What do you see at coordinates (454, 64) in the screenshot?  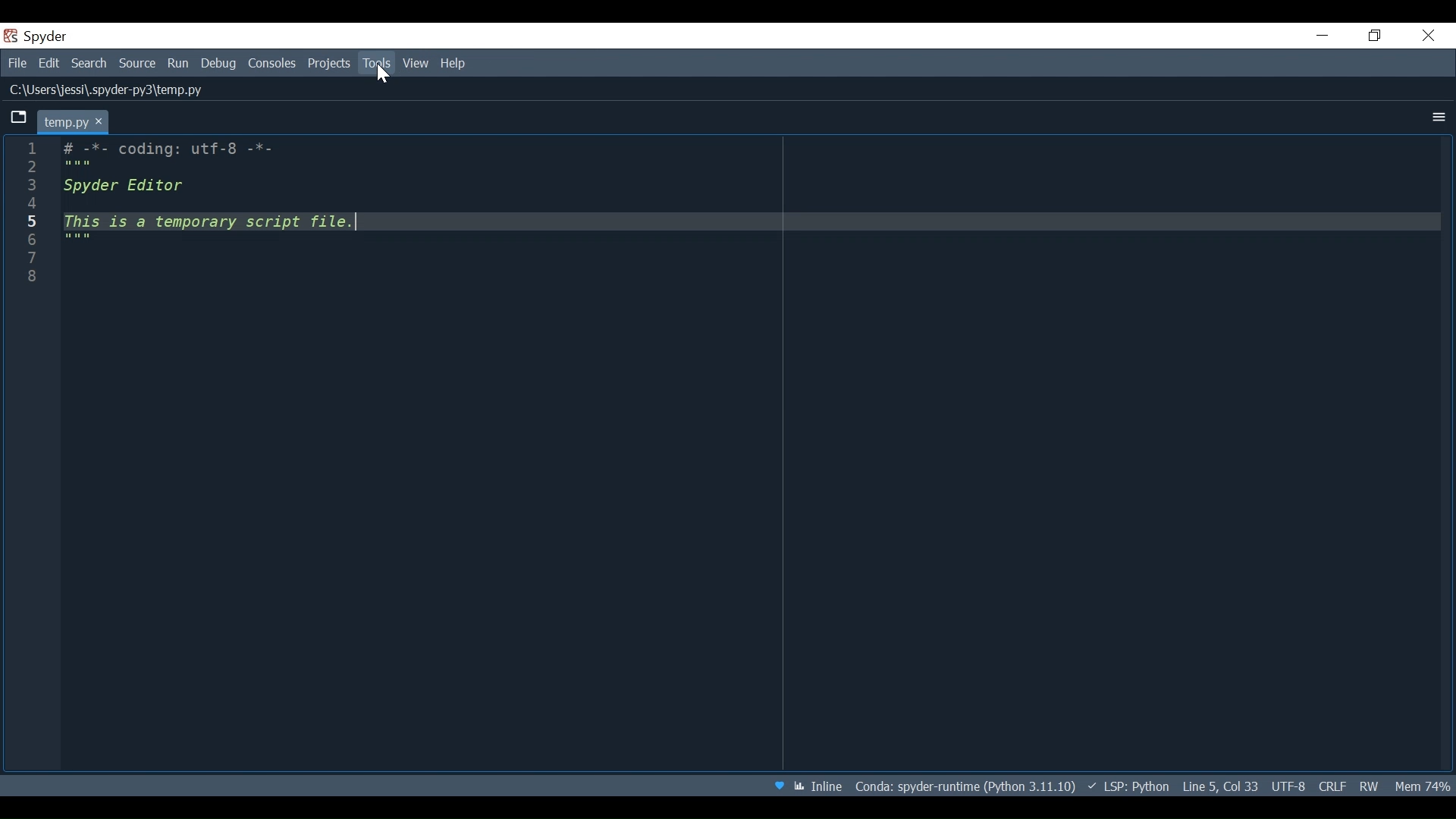 I see `Help` at bounding box center [454, 64].